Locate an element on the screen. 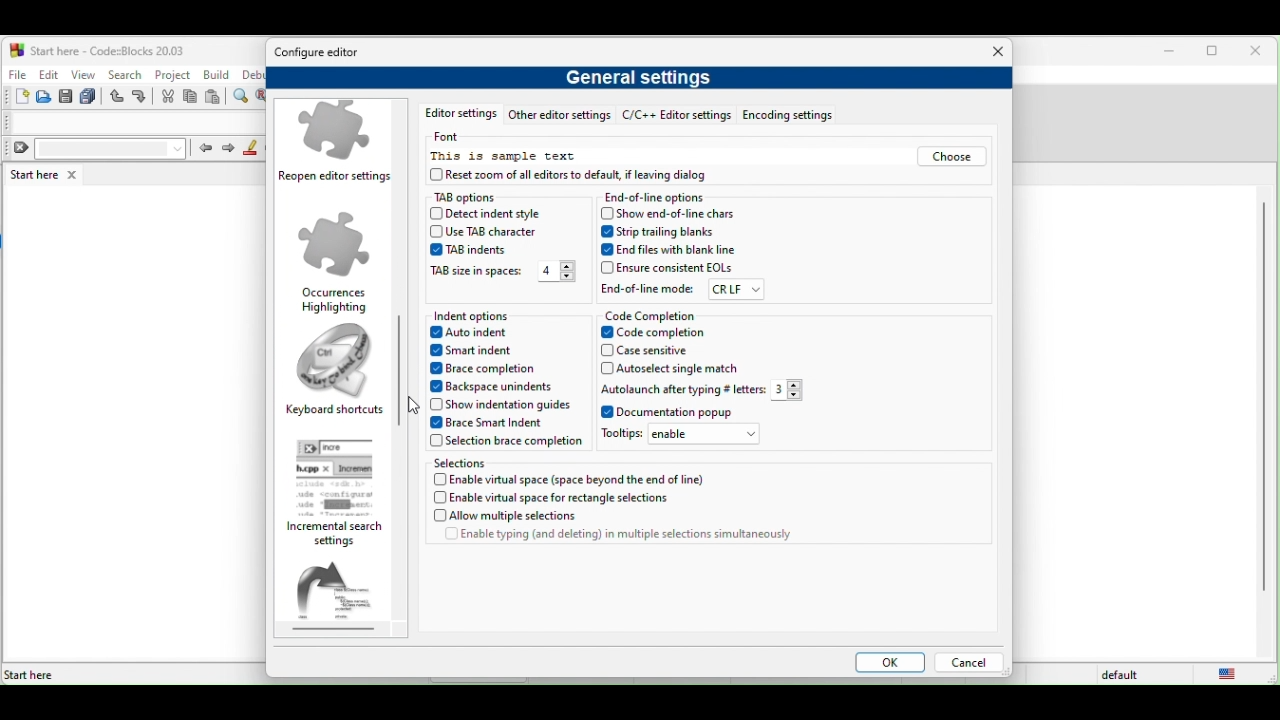 Image resolution: width=1280 pixels, height=720 pixels. reset zoom of all editors to default, if leaving dialog is located at coordinates (589, 177).